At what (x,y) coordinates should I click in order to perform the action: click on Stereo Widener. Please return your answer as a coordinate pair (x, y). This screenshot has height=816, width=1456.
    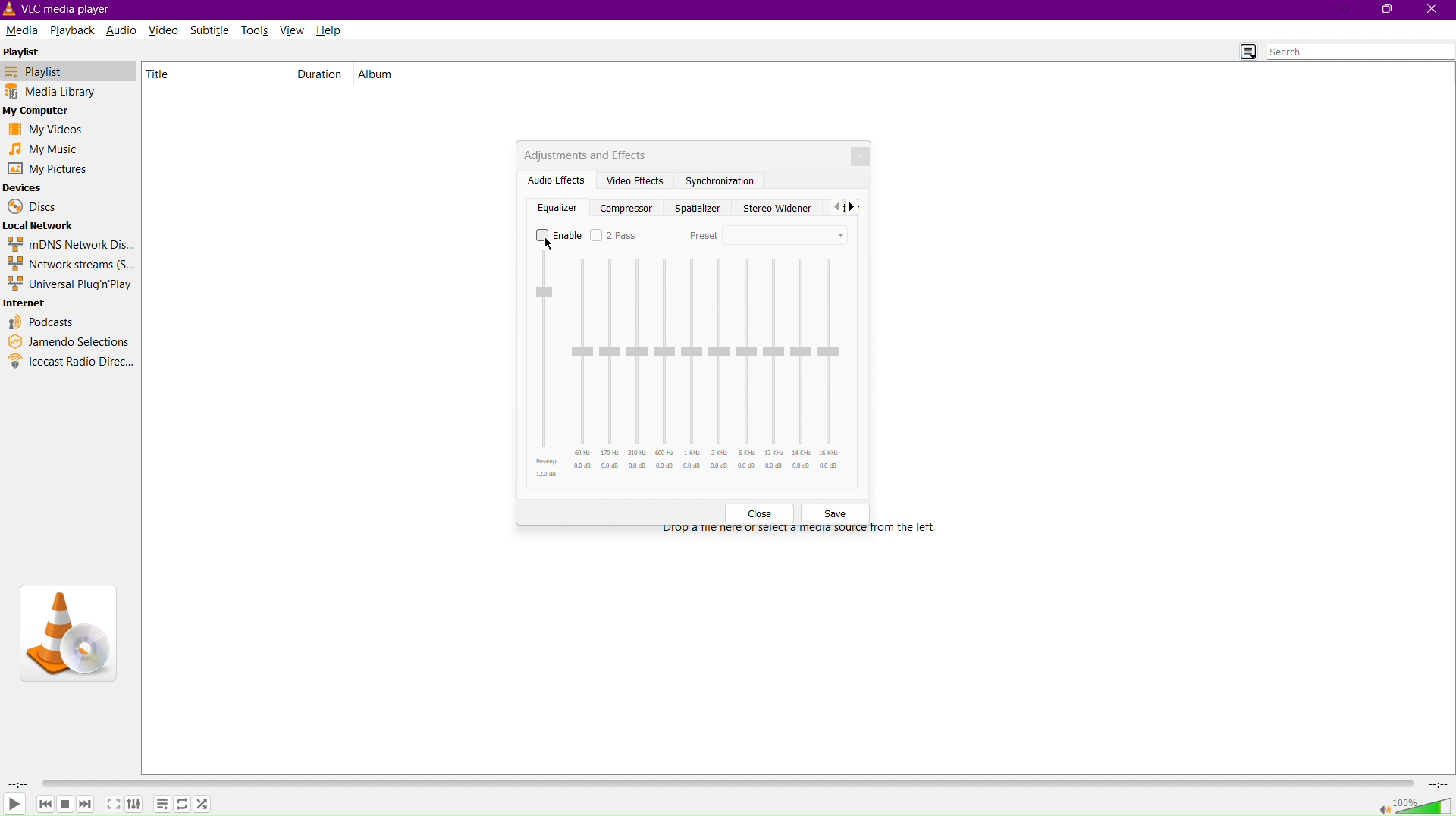
    Looking at the image, I should click on (778, 208).